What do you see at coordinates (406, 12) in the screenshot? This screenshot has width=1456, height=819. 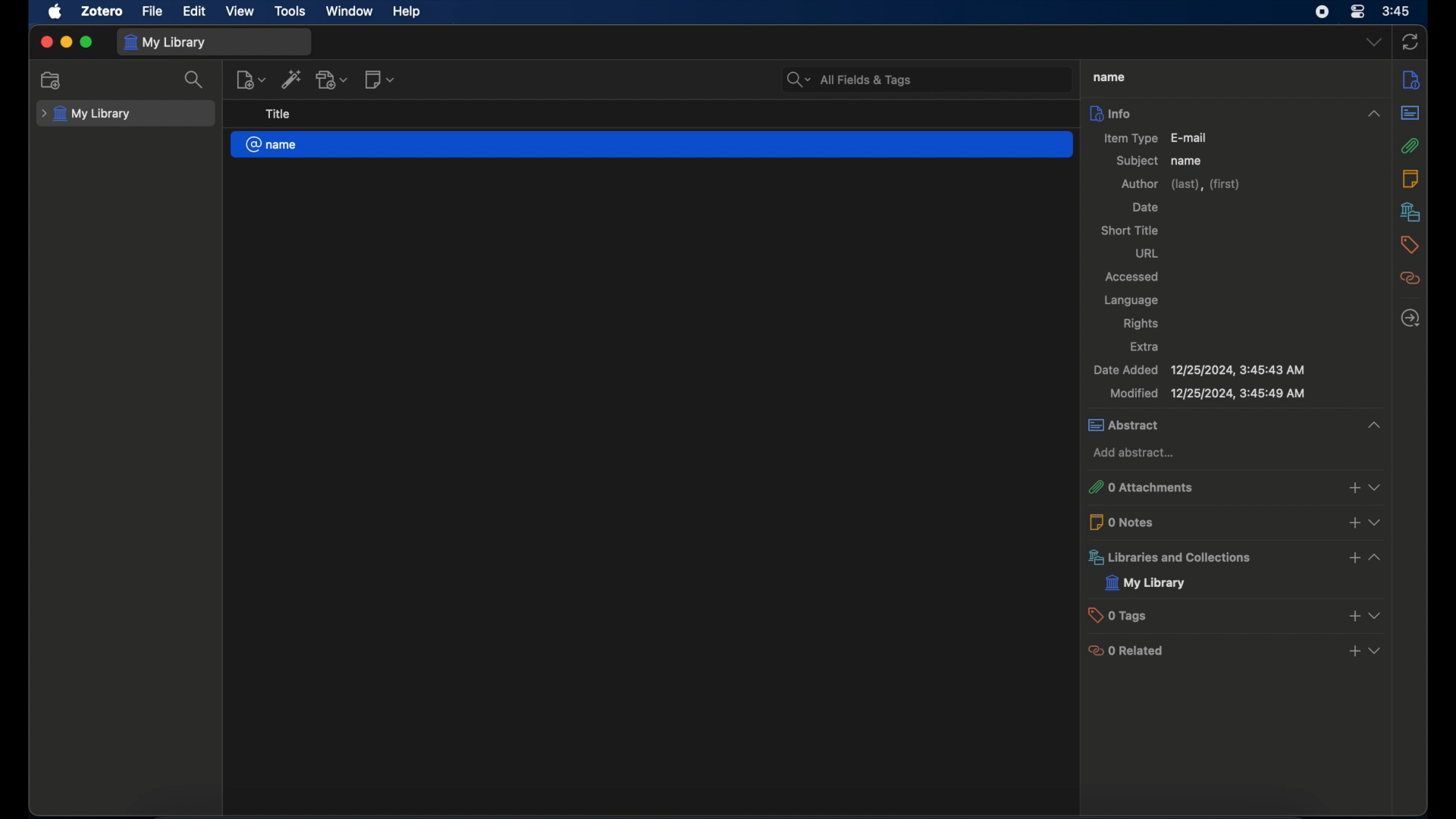 I see `help` at bounding box center [406, 12].